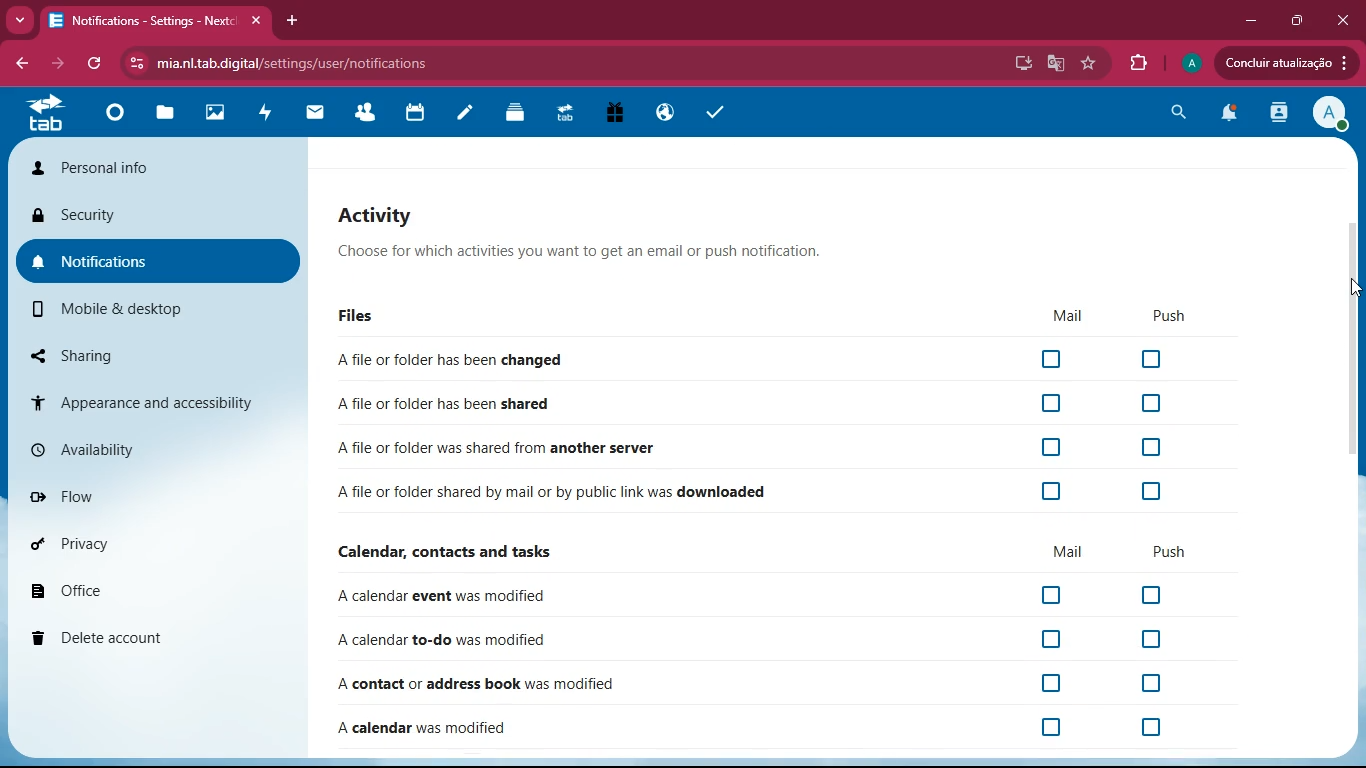 The height and width of the screenshot is (768, 1366). Describe the element at coordinates (156, 19) in the screenshot. I see `Notifications - Settings - Nextcloud` at that location.